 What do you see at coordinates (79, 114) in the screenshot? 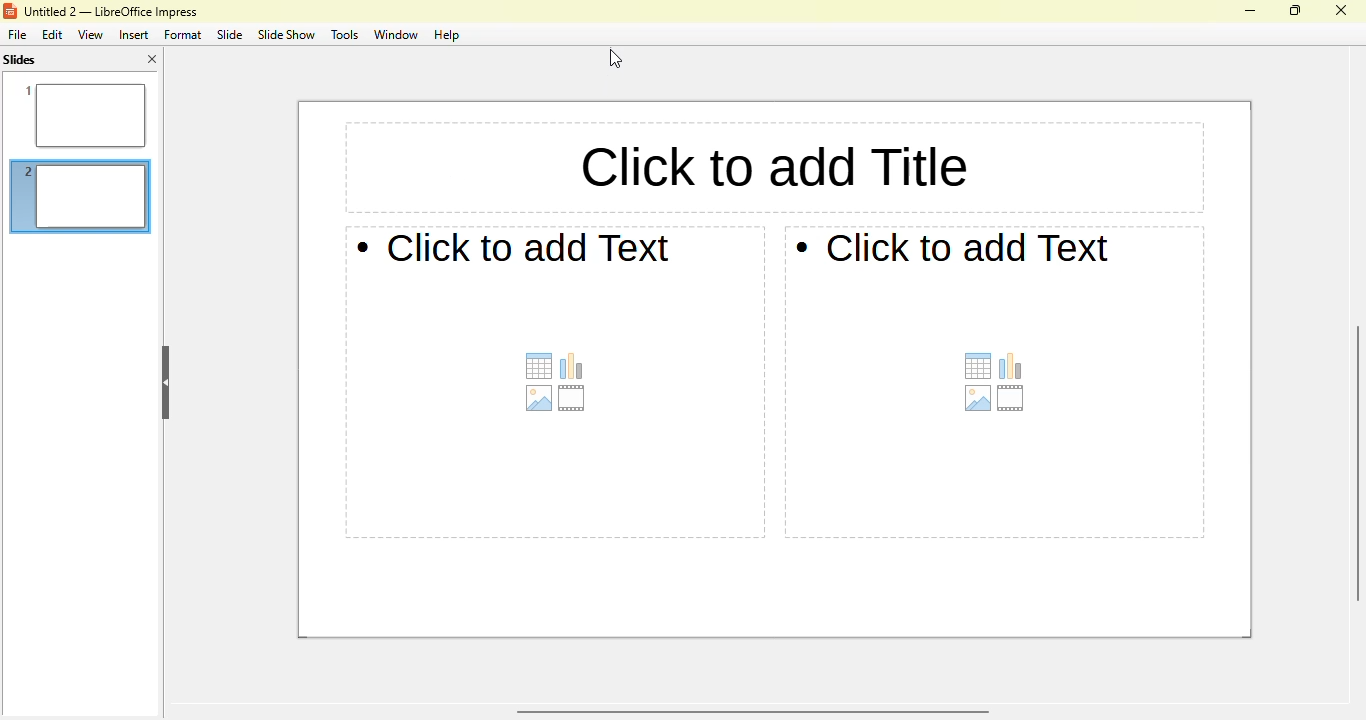
I see `slide 1` at bounding box center [79, 114].